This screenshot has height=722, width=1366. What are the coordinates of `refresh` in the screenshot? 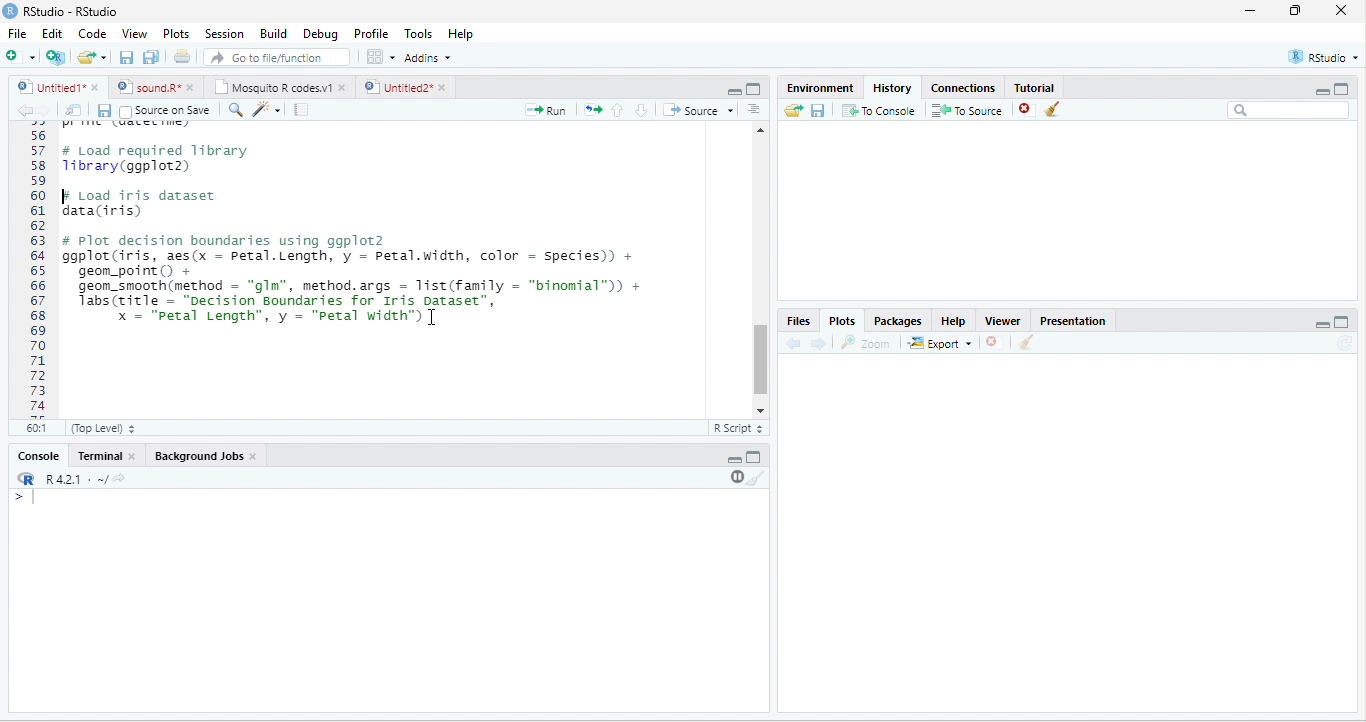 It's located at (1344, 343).